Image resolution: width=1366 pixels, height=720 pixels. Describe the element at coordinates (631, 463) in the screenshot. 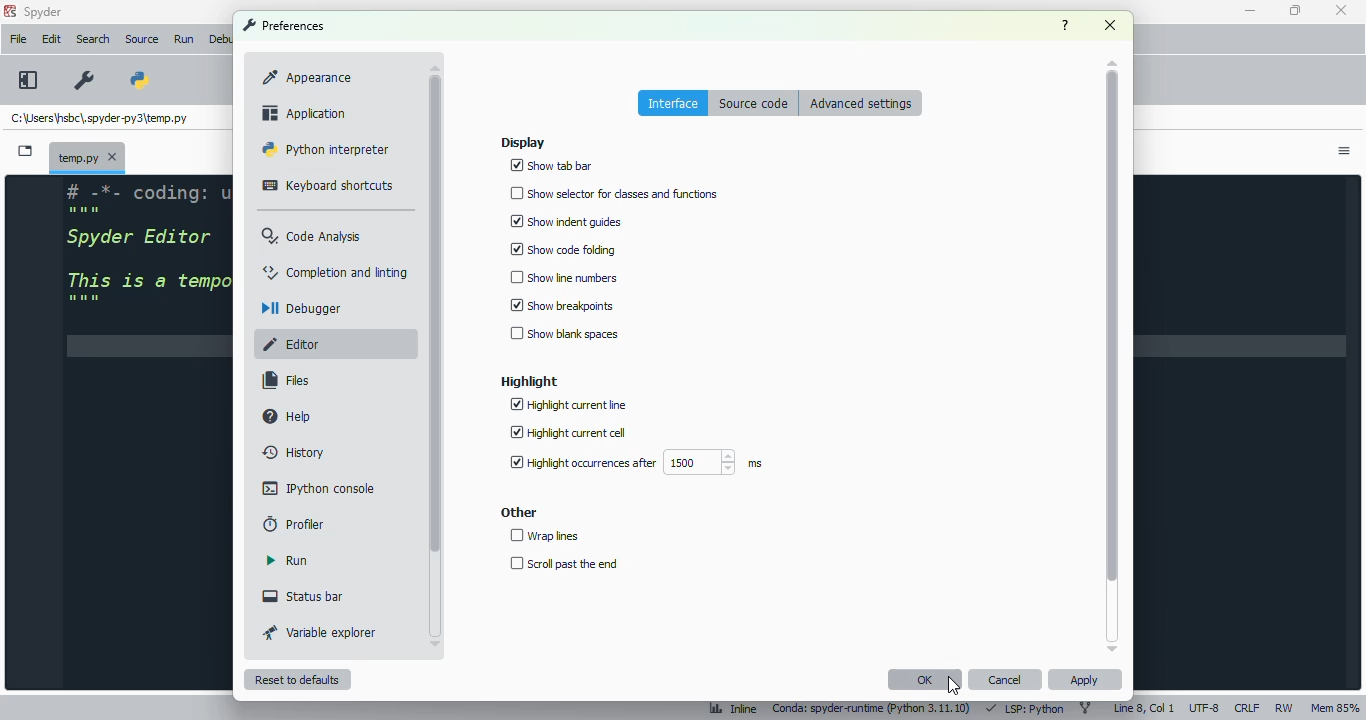

I see `highlight occurrences after 1500 ms` at that location.